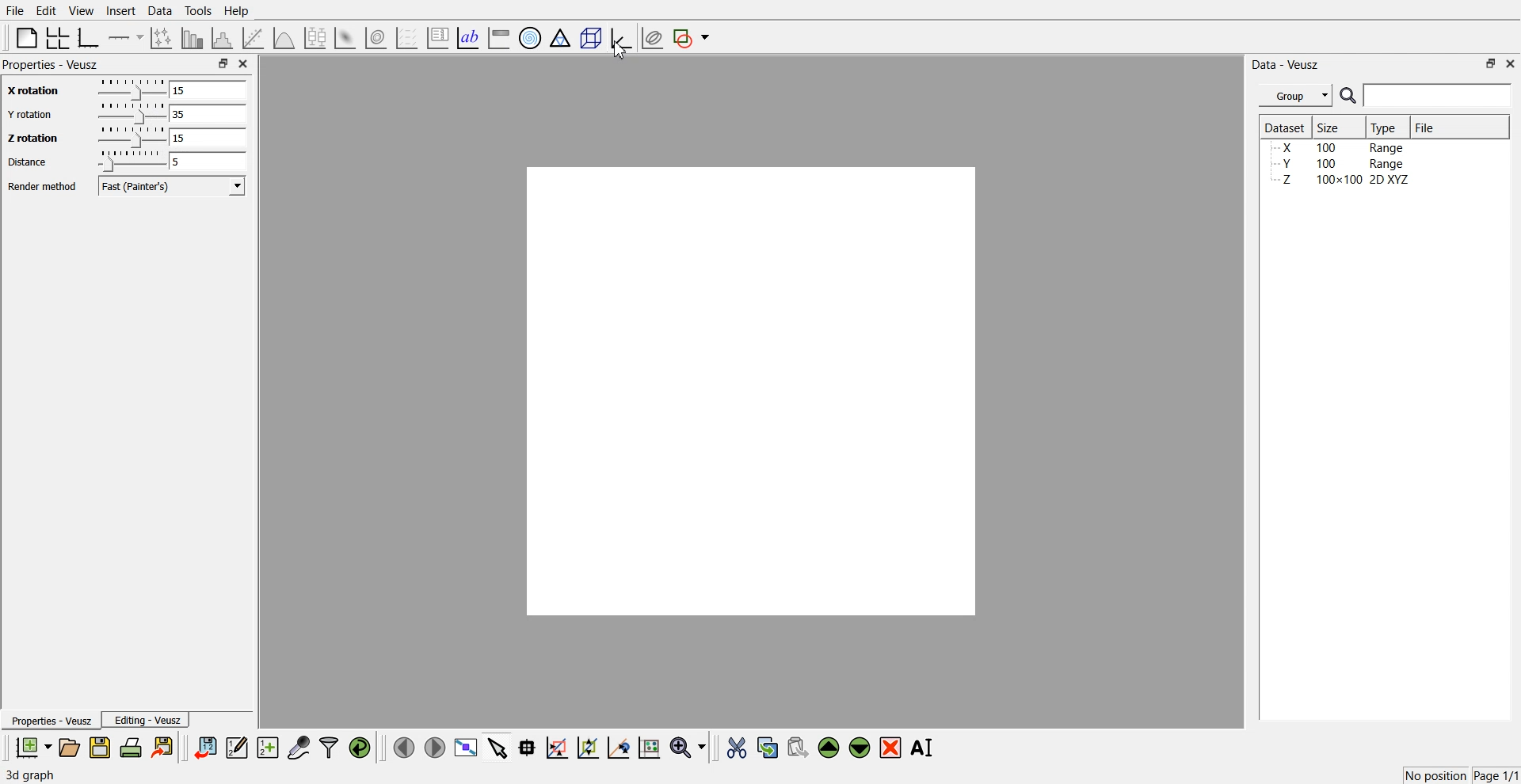  What do you see at coordinates (100, 747) in the screenshot?
I see `Save the document` at bounding box center [100, 747].